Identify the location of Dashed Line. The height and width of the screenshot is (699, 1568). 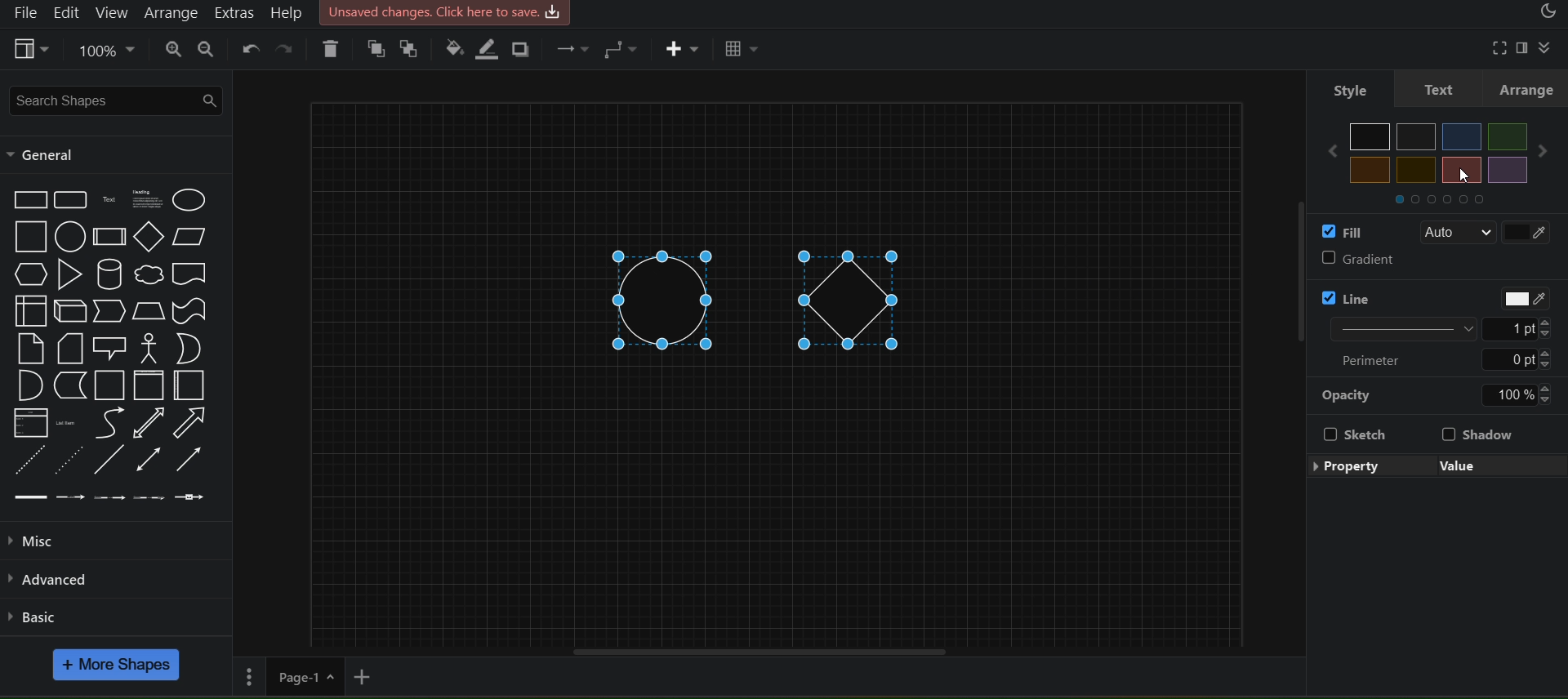
(31, 457).